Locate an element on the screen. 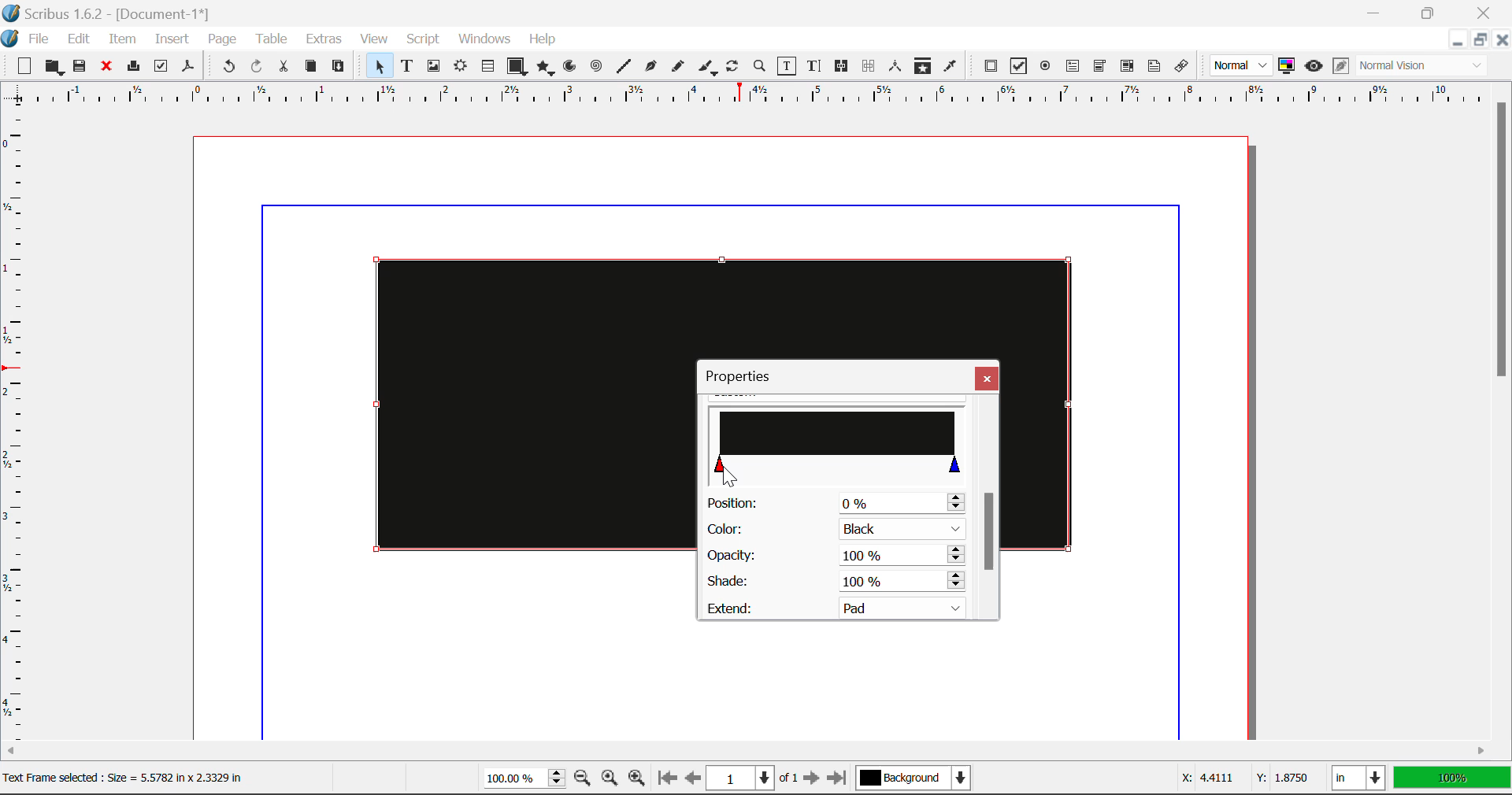  PDF Text Fields is located at coordinates (1073, 66).